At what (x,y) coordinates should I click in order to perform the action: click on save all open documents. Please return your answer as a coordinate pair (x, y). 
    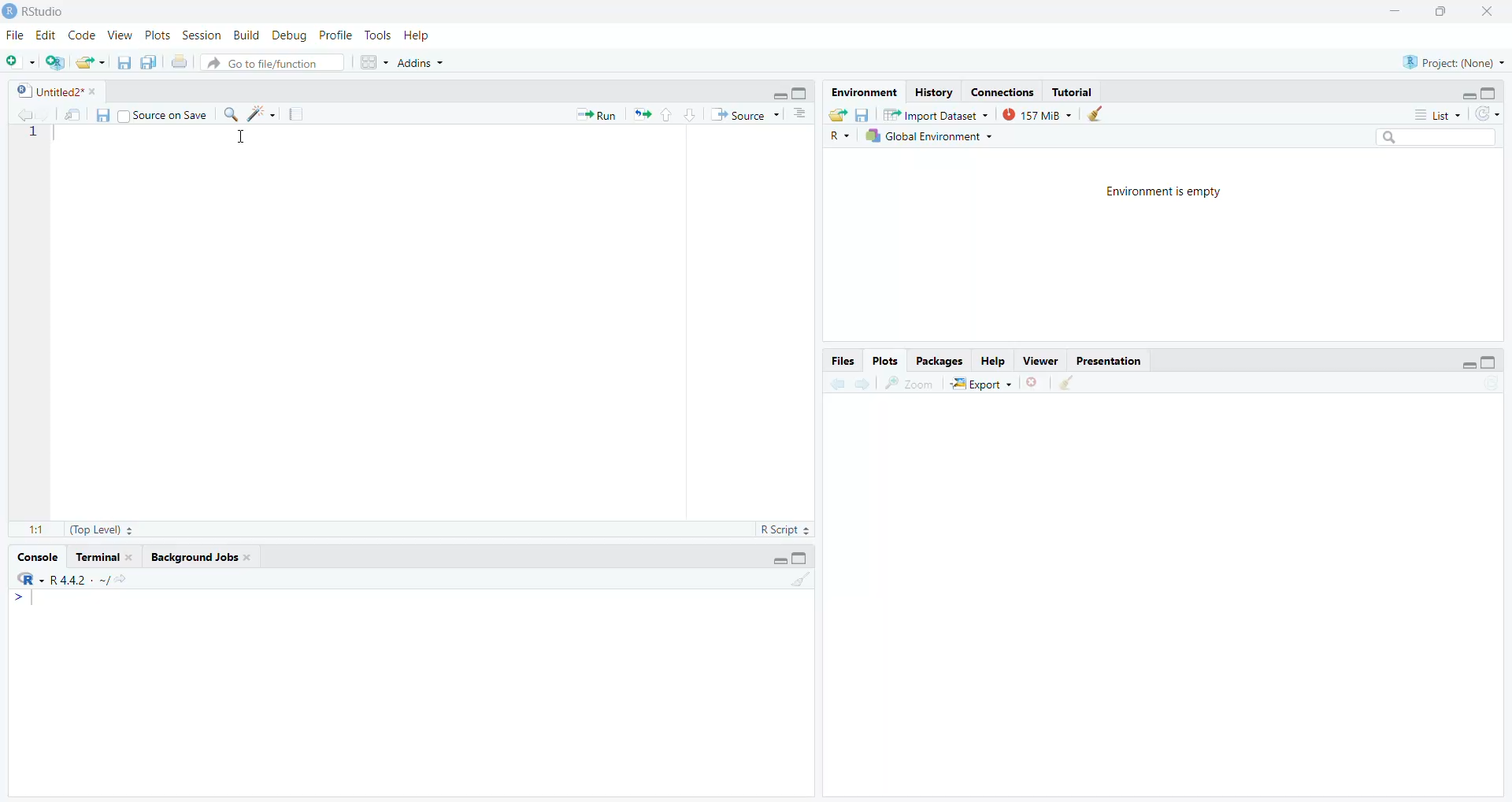
    Looking at the image, I should click on (146, 62).